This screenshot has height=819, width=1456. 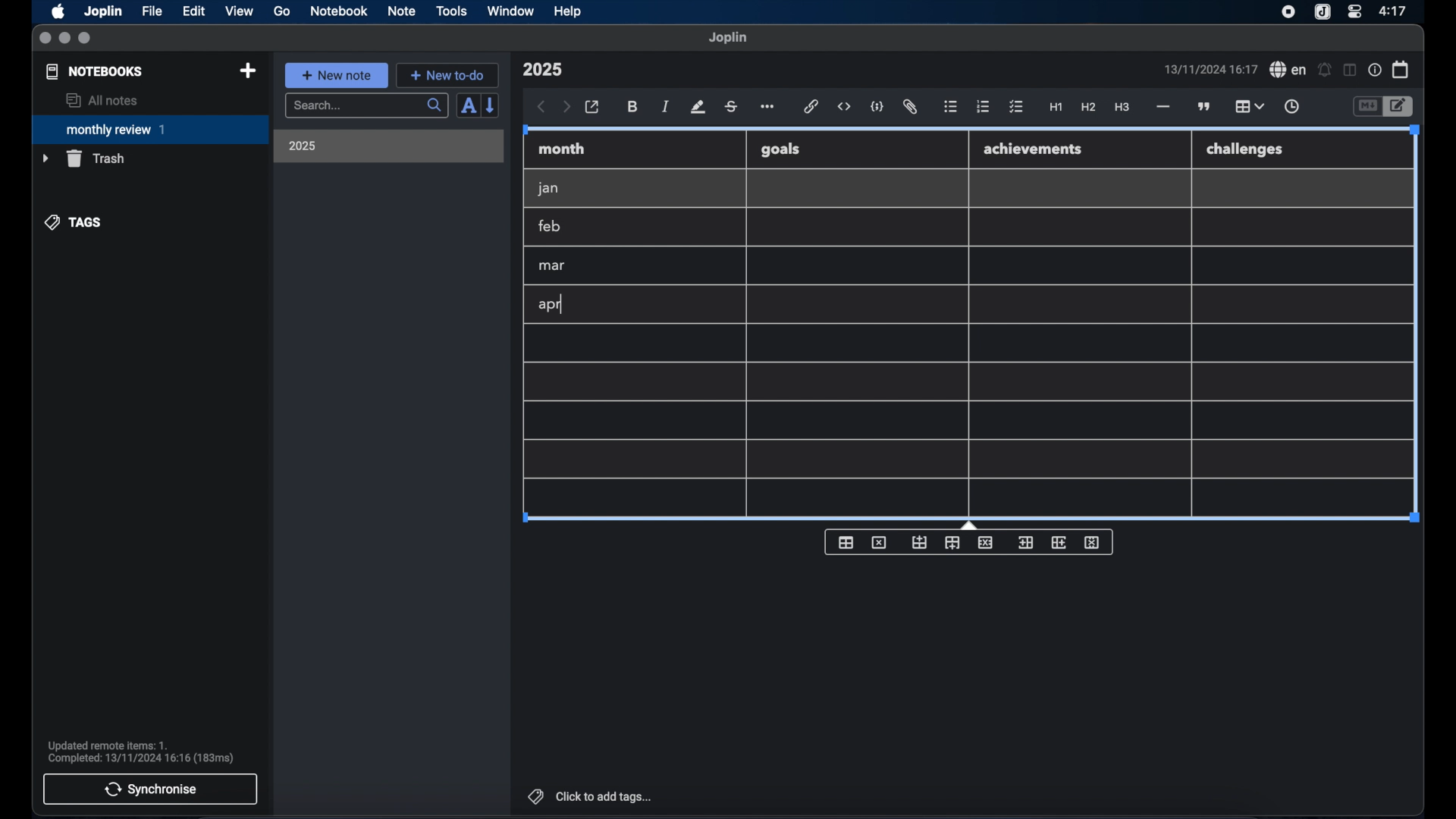 I want to click on joplin, so click(x=728, y=37).